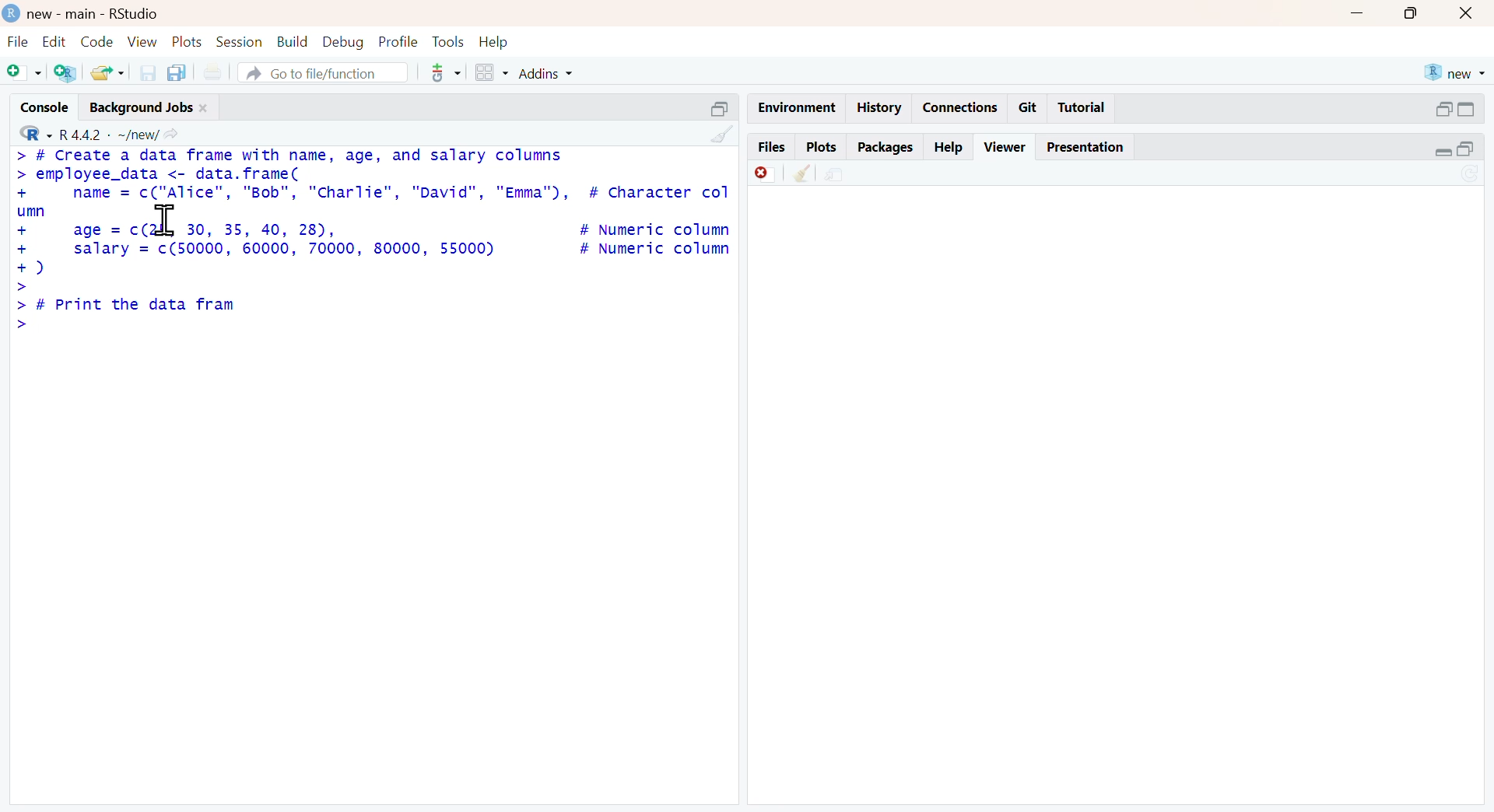  What do you see at coordinates (169, 220) in the screenshot?
I see `cursor` at bounding box center [169, 220].